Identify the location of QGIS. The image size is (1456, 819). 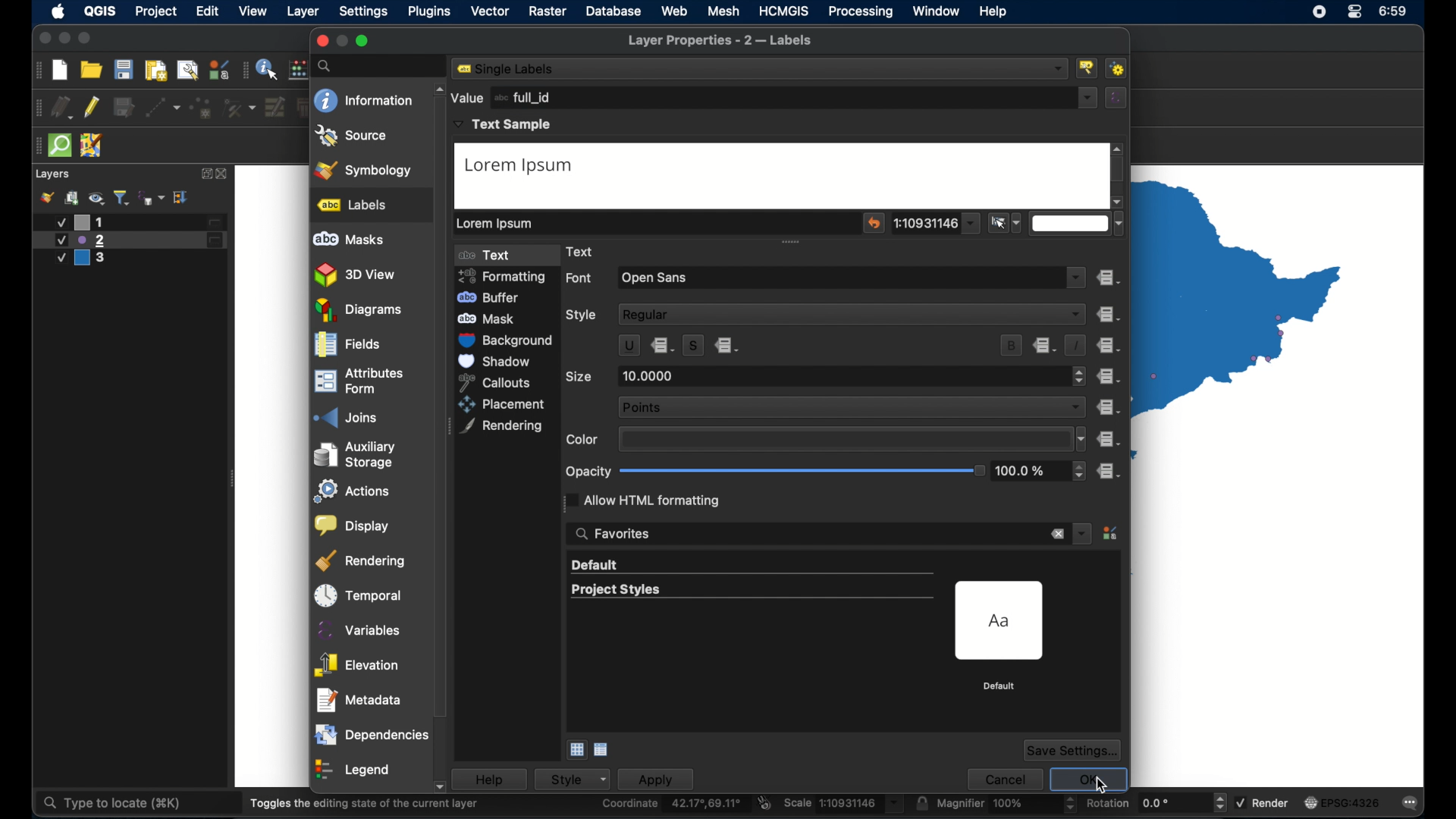
(102, 11).